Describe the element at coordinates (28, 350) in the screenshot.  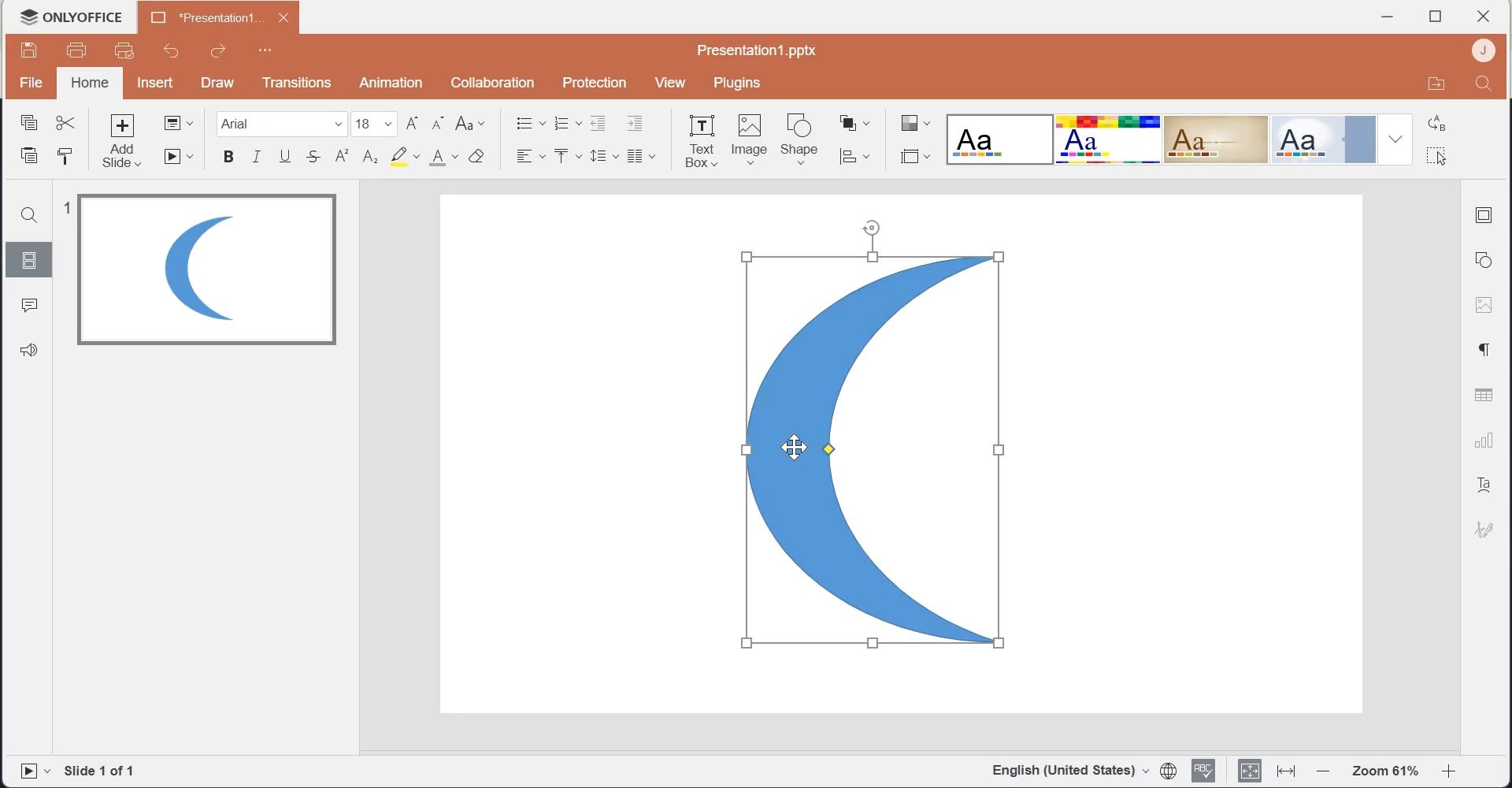
I see `Feedback & Support` at that location.